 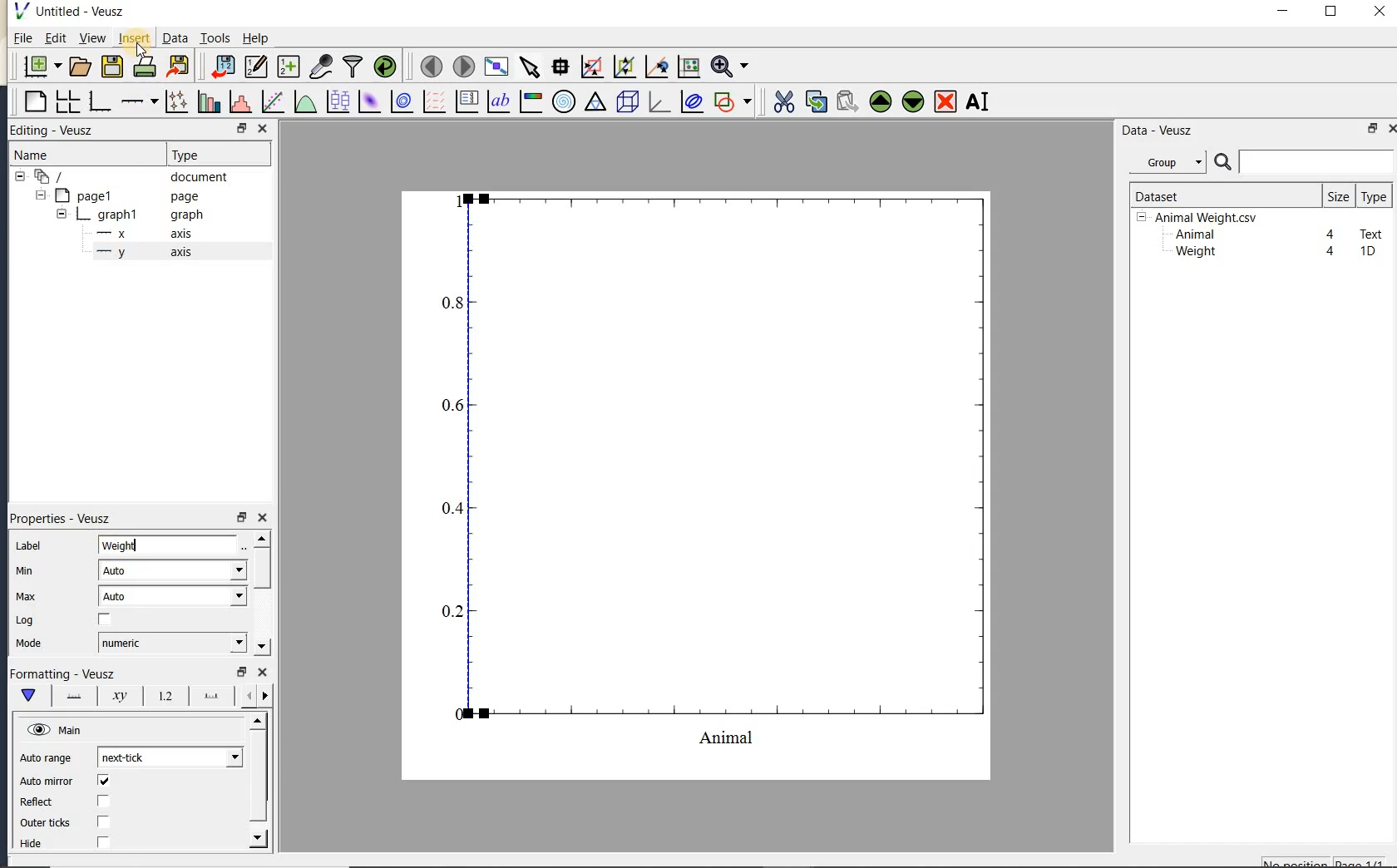 What do you see at coordinates (66, 518) in the screenshot?
I see `Properties - Veusz` at bounding box center [66, 518].